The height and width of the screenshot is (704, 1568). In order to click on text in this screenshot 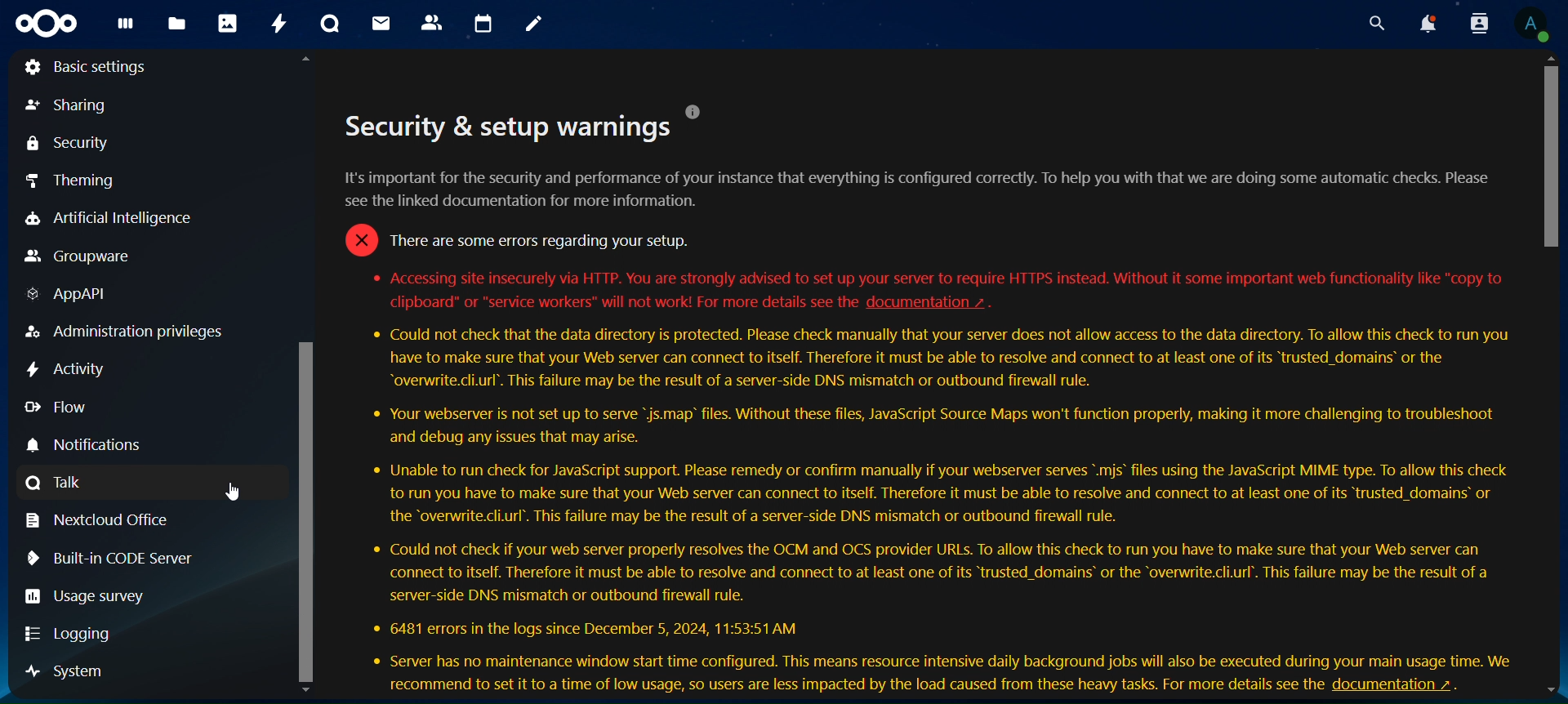, I will do `click(620, 303)`.